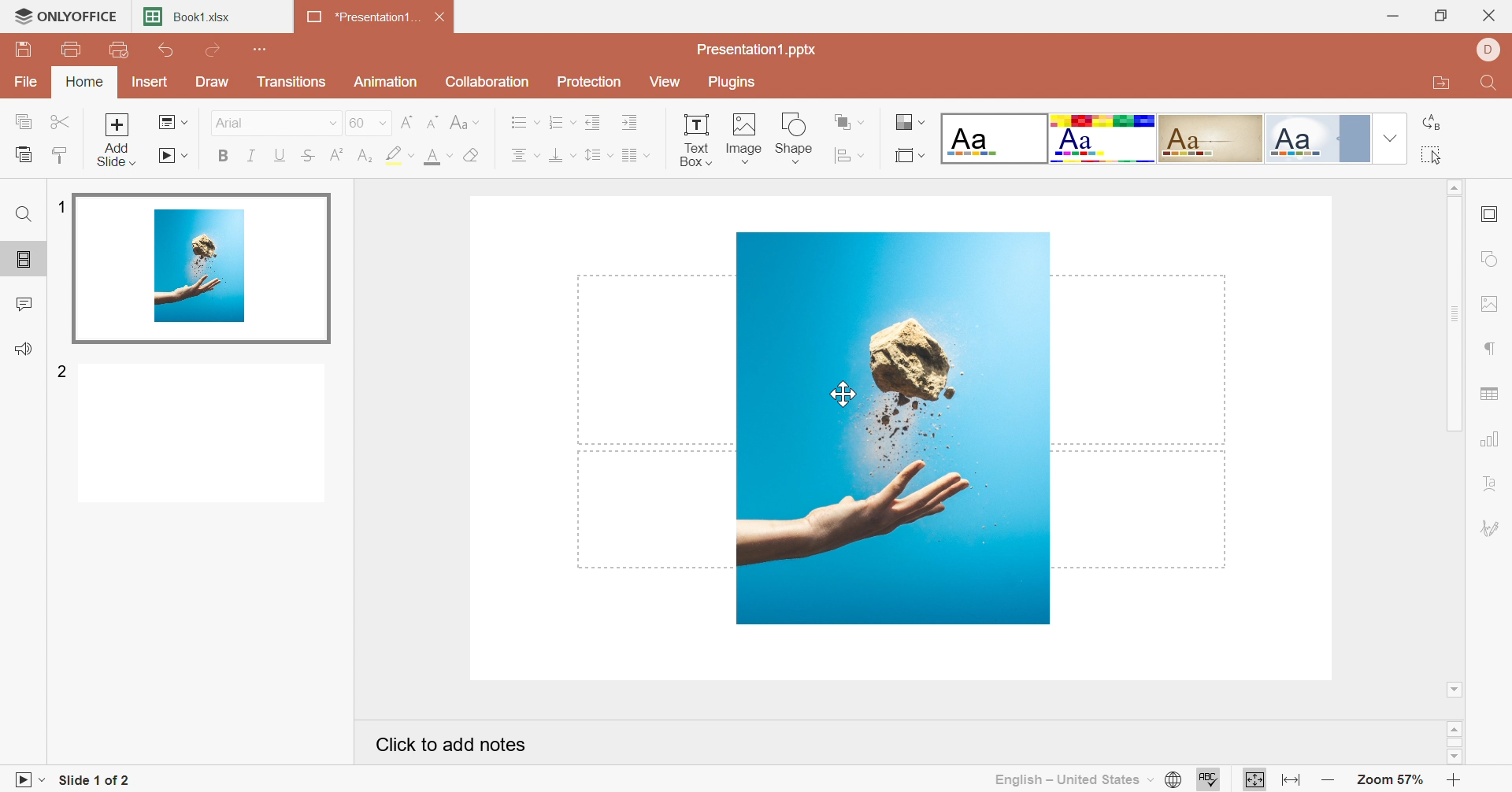  What do you see at coordinates (850, 121) in the screenshot?
I see `Align shape` at bounding box center [850, 121].